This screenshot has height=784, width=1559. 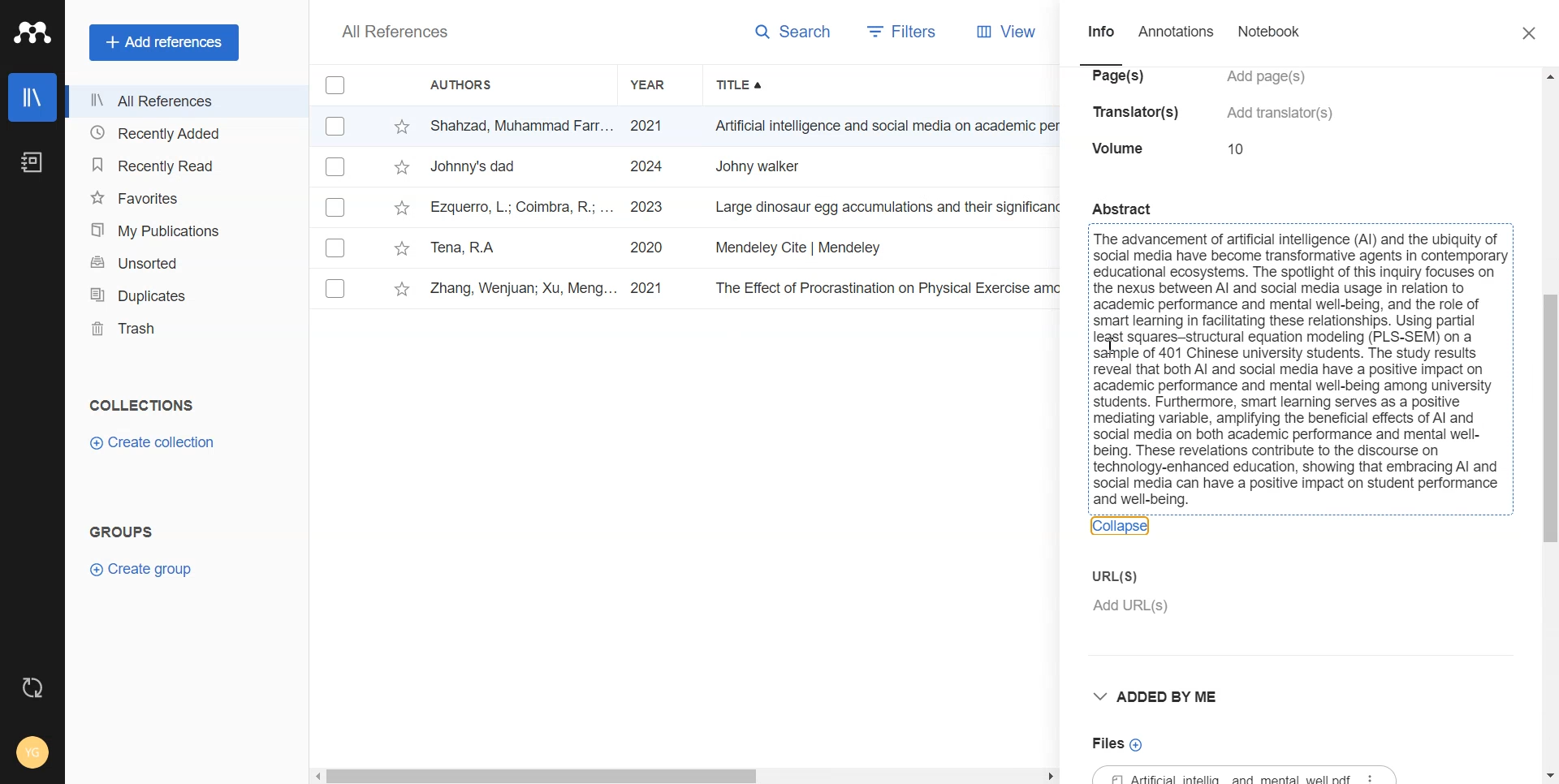 I want to click on v Zhang, Wenjuan; Xu, Meng... 2021 The Effect of Procrastination on Physical Exercise among College Students—... International Journal... 12/18/2024, so click(x=748, y=291).